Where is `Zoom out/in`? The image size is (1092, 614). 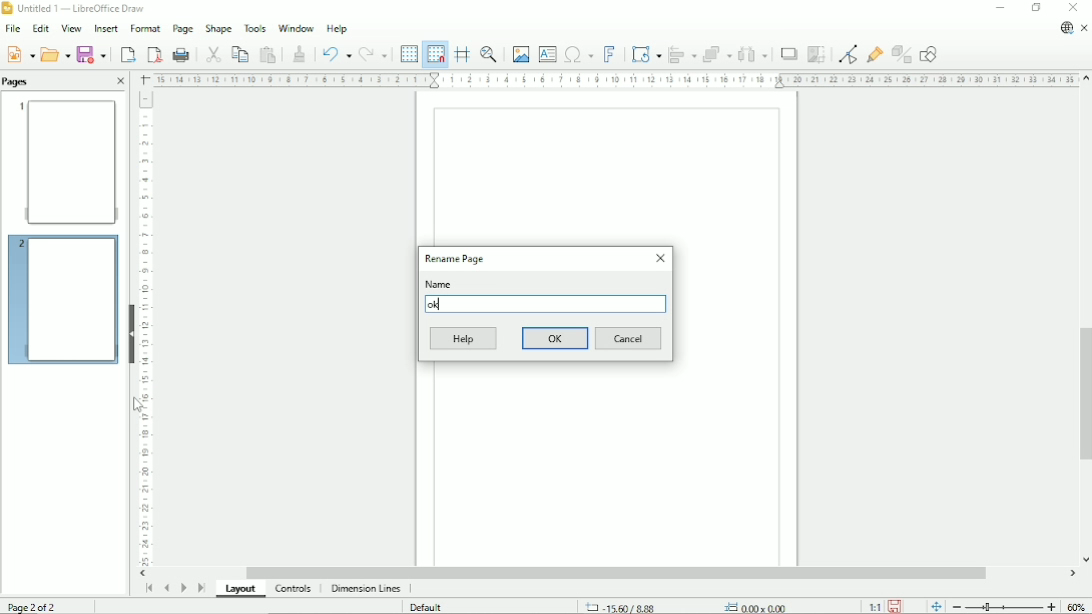
Zoom out/in is located at coordinates (1004, 606).